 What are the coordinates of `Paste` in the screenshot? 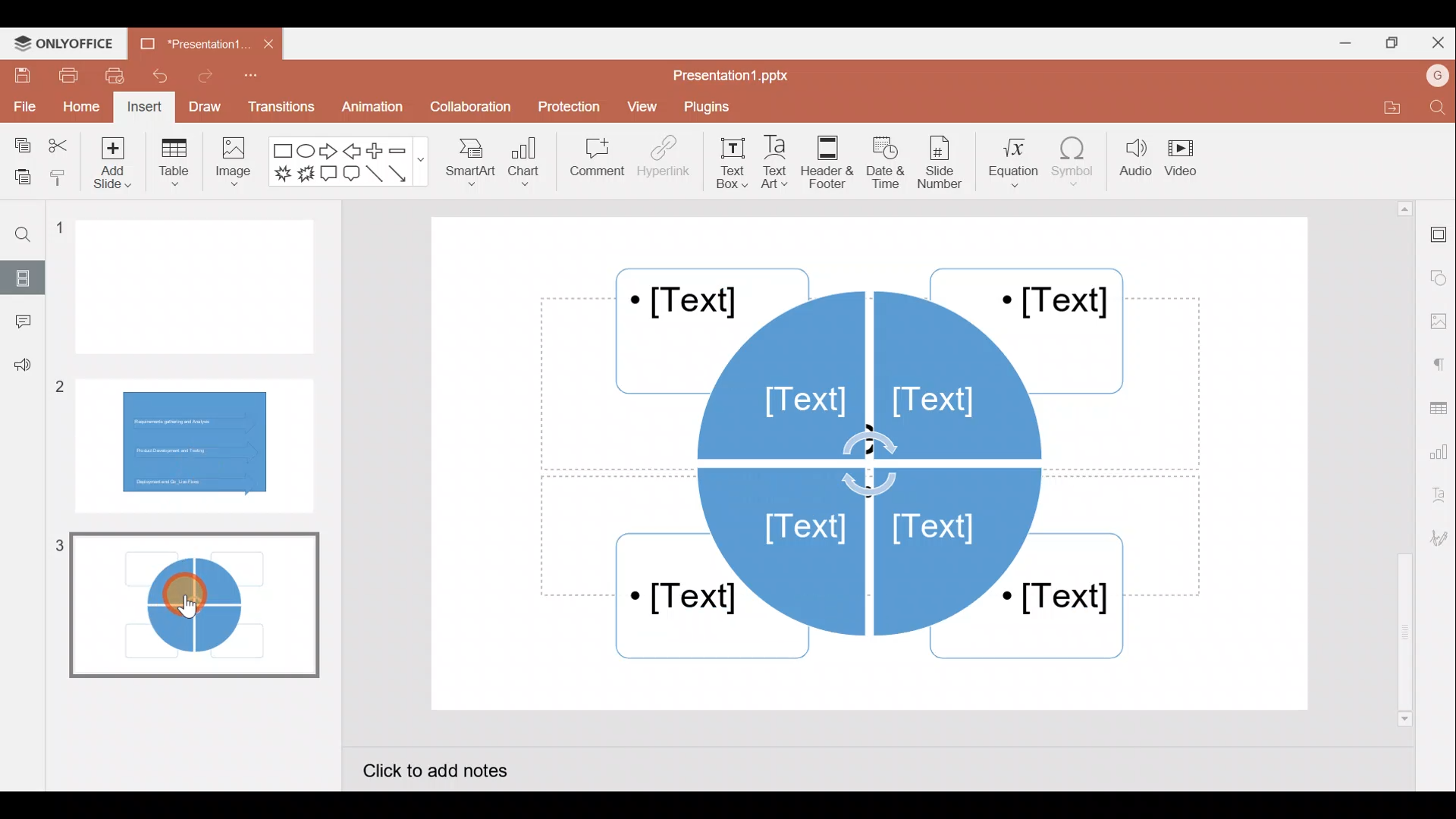 It's located at (20, 174).